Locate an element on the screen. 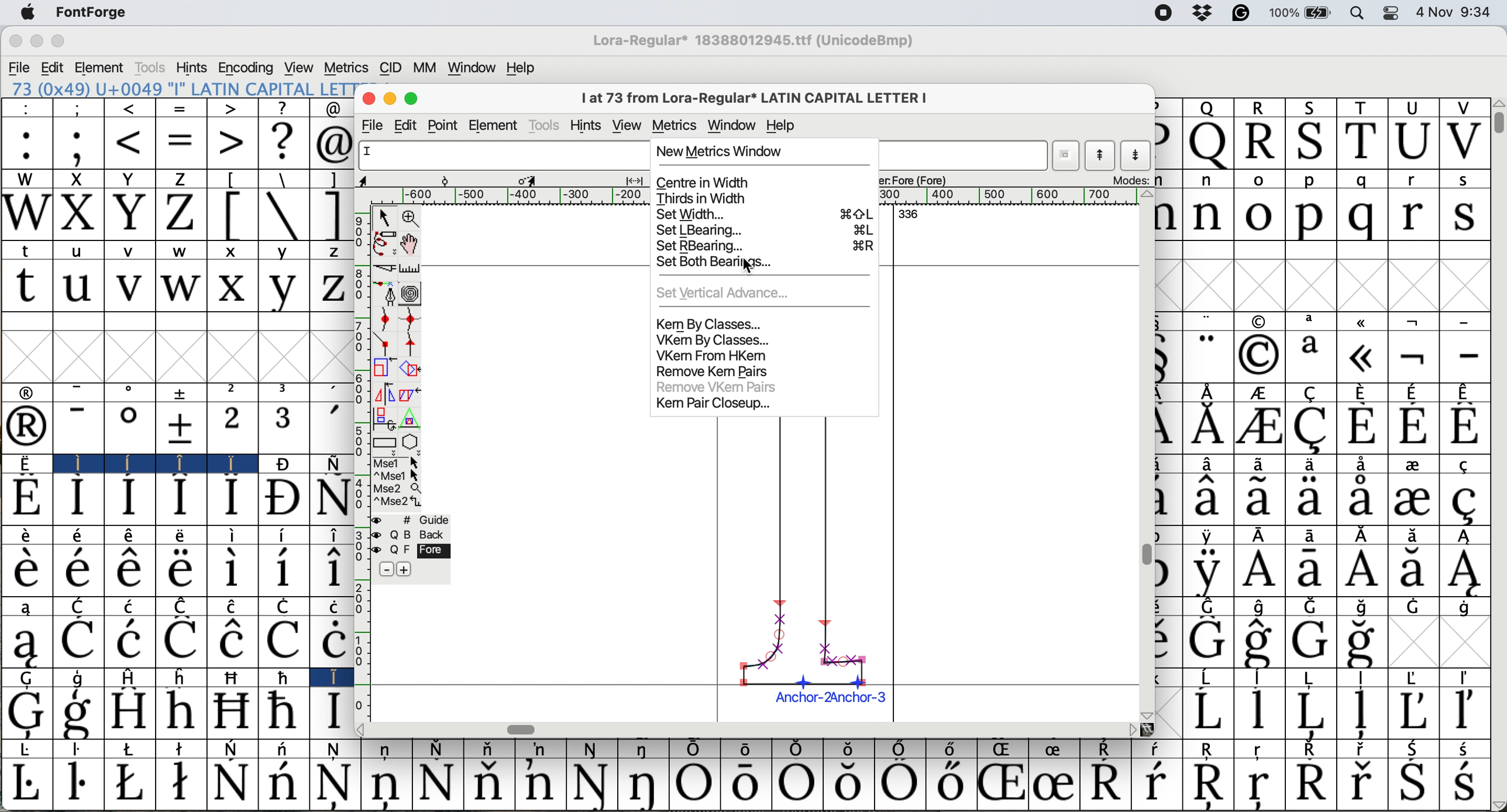 This screenshot has height=812, width=1507.  is located at coordinates (378, 532).